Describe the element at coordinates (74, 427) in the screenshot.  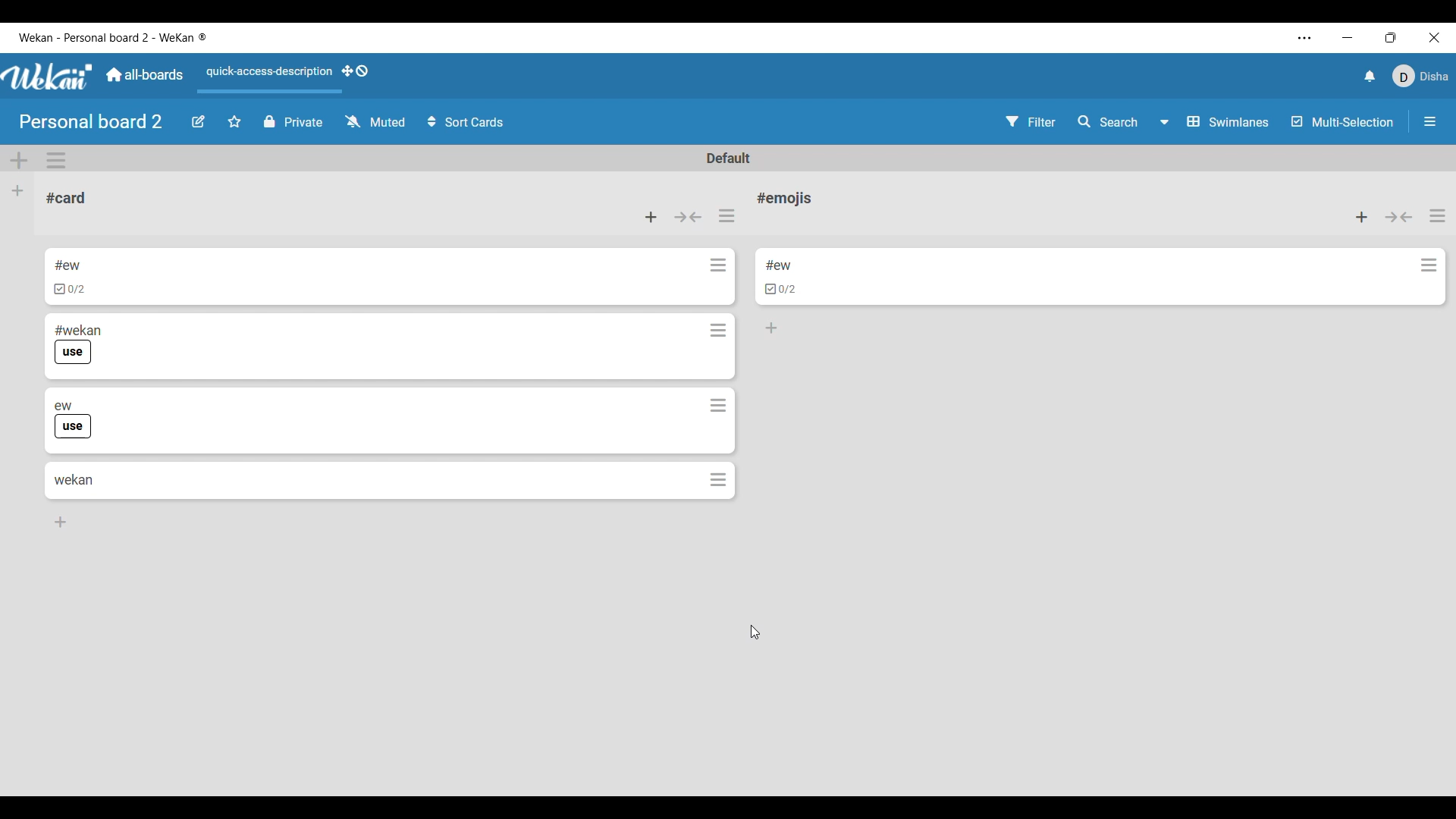
I see `Indicates use of label in card` at that location.